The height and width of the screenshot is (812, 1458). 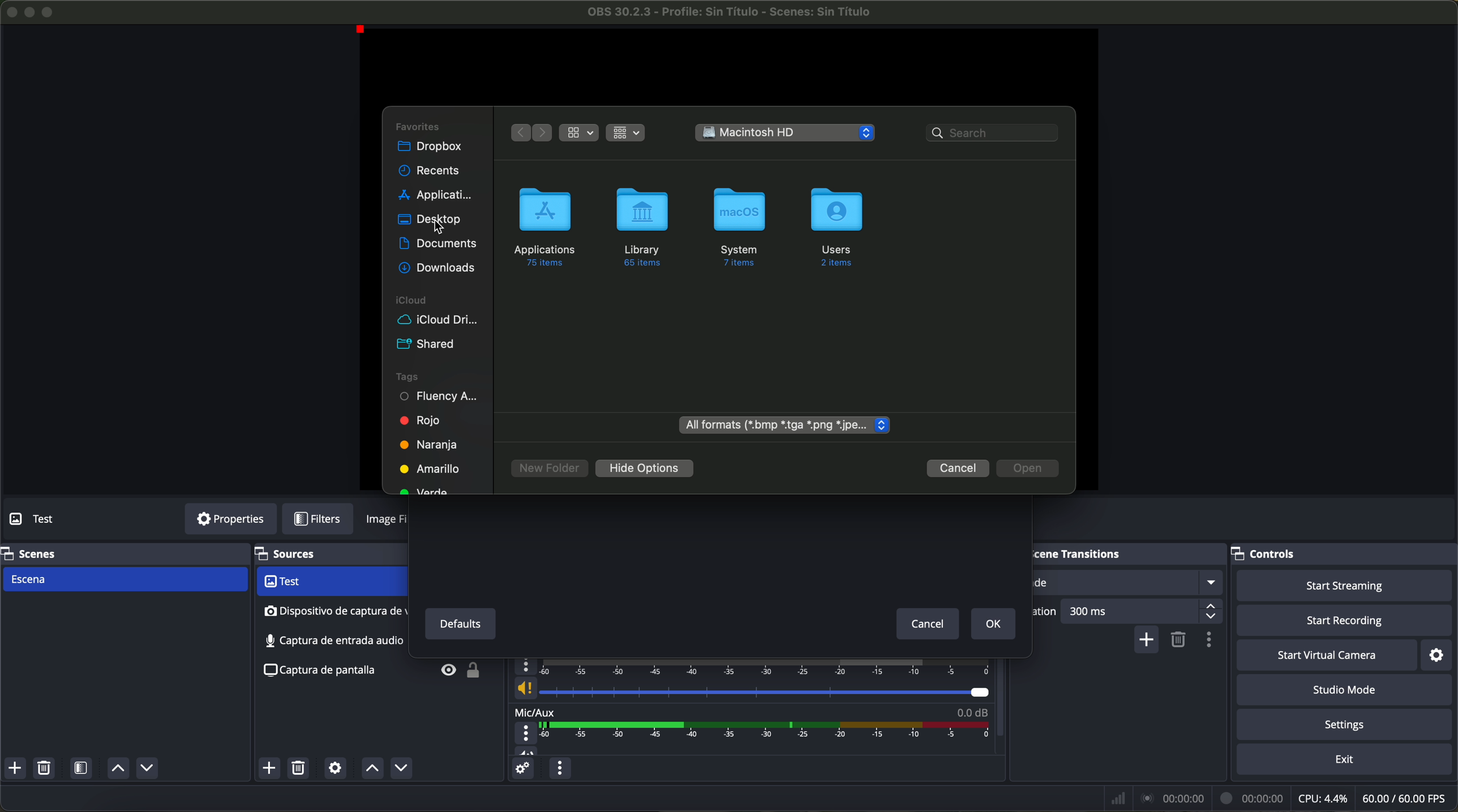 I want to click on click on desktop, so click(x=430, y=223).